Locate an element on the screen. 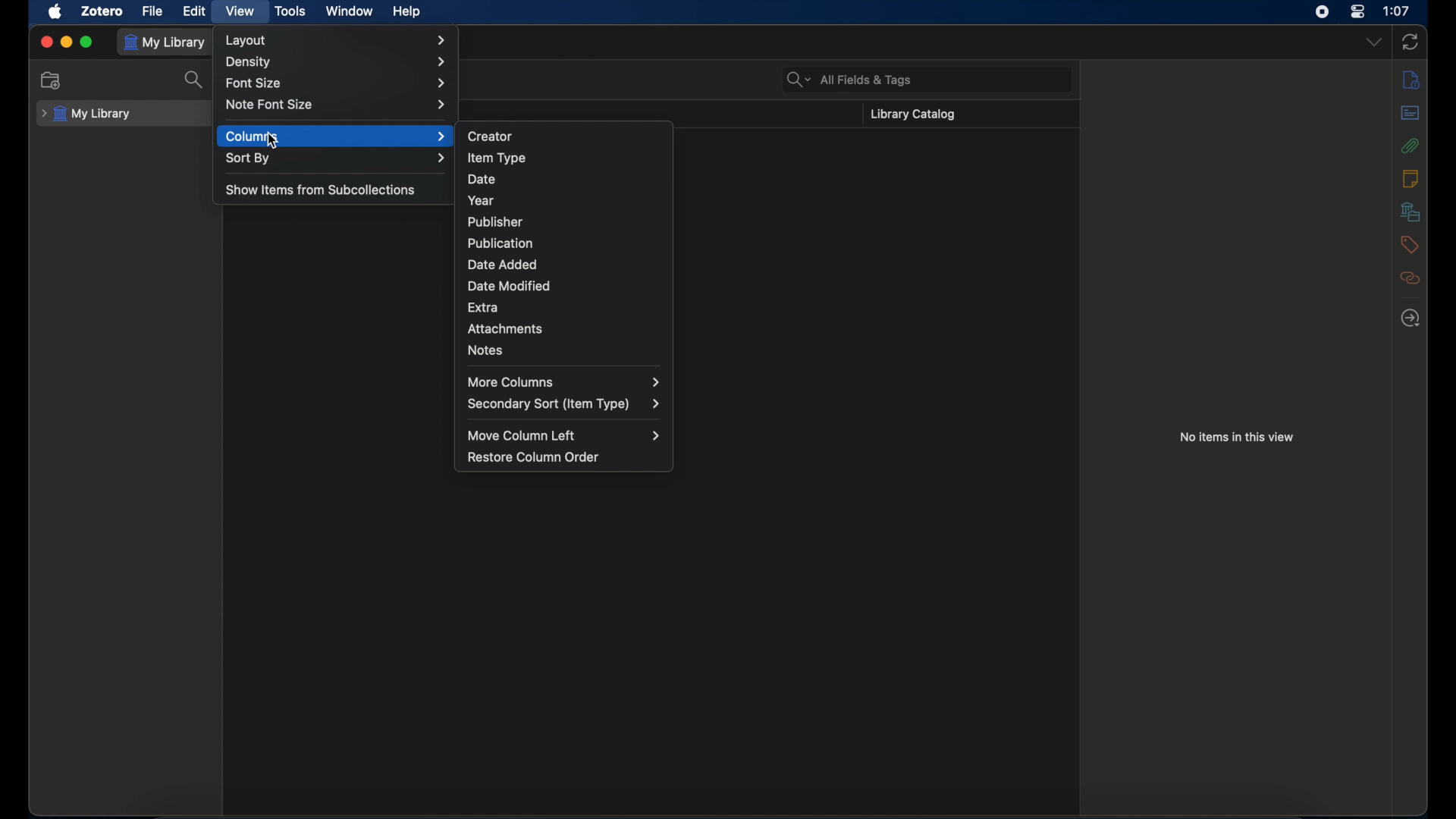 Image resolution: width=1456 pixels, height=819 pixels. attachments is located at coordinates (504, 329).